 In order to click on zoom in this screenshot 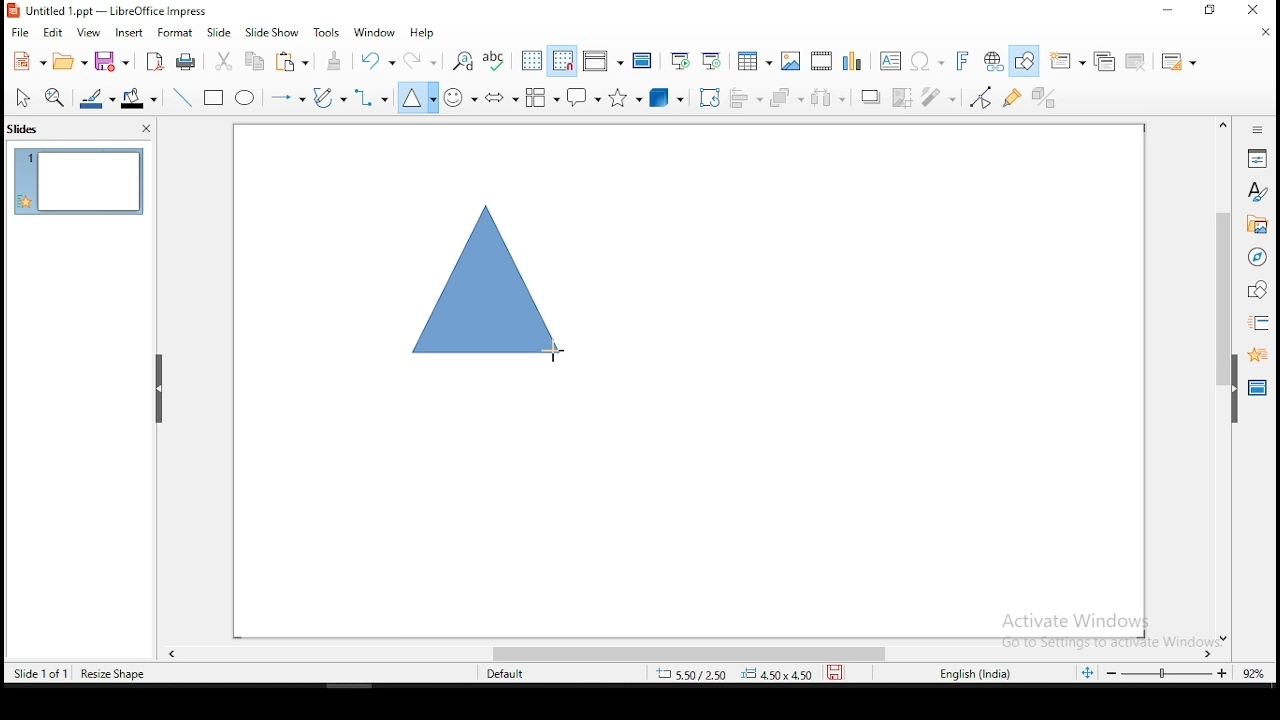, I will do `click(1186, 674)`.